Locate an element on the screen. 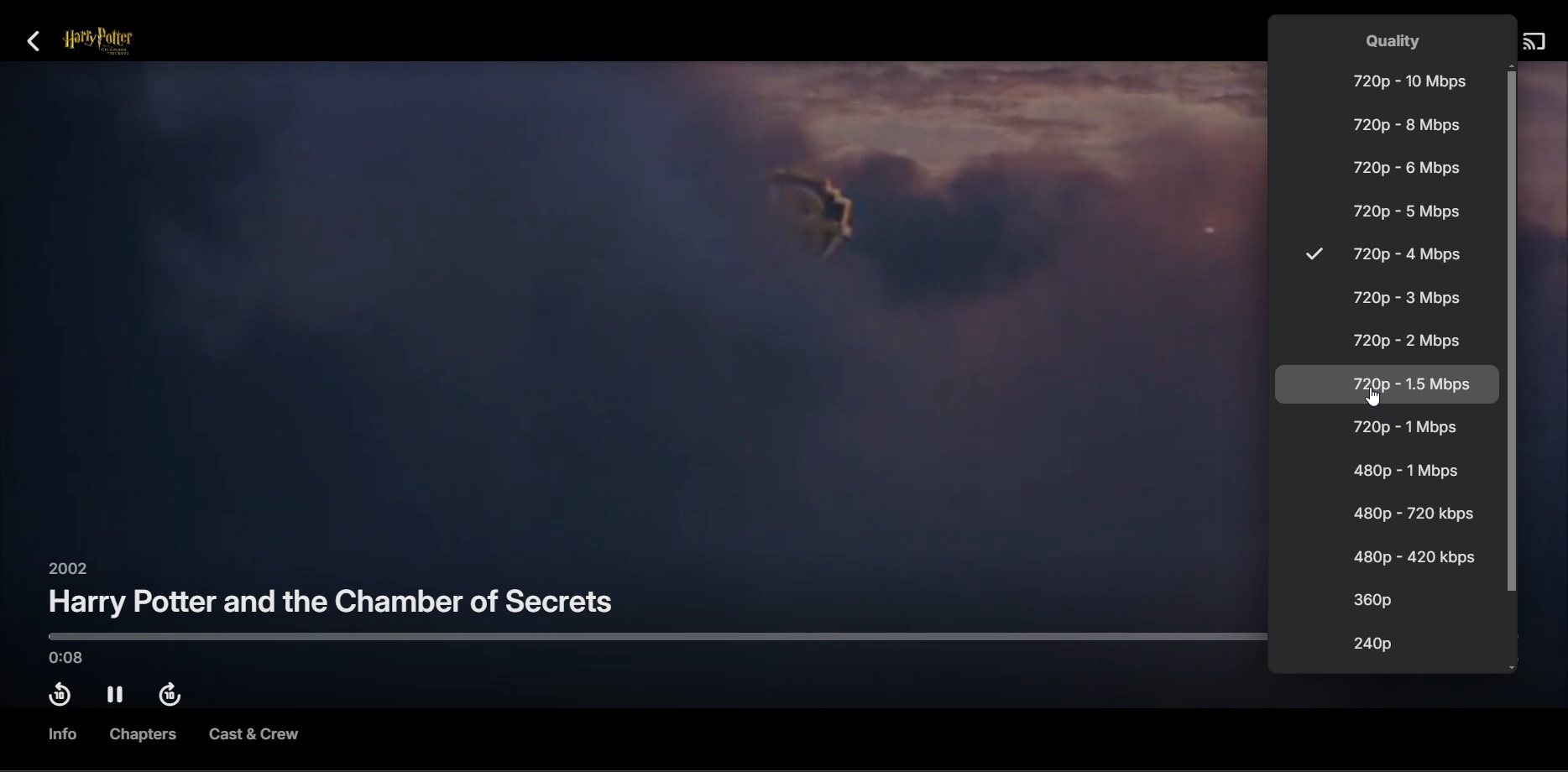 The height and width of the screenshot is (772, 1568). 720p -4 Mbps is located at coordinates (1405, 255).